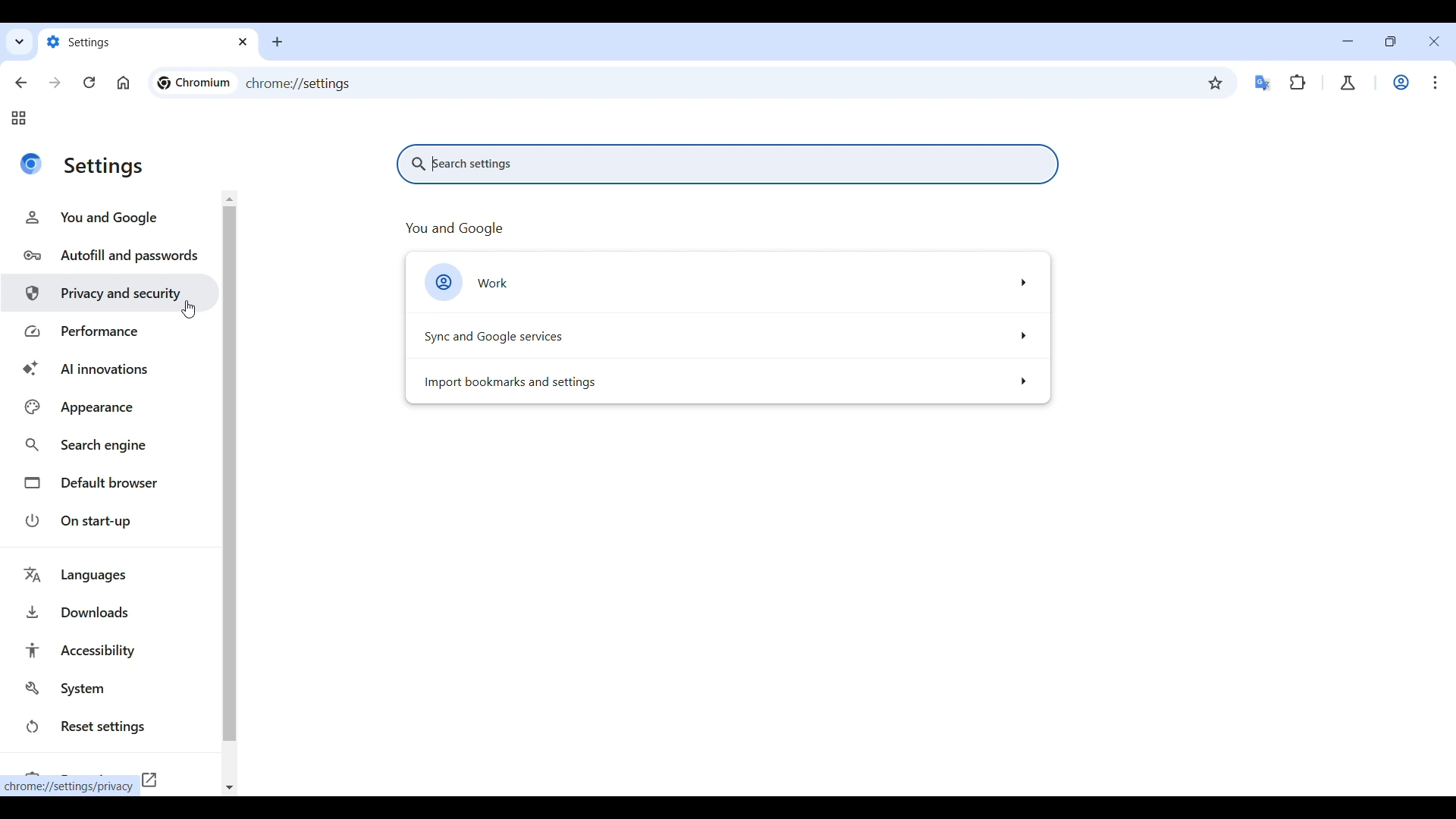  I want to click on you and google, so click(454, 228).